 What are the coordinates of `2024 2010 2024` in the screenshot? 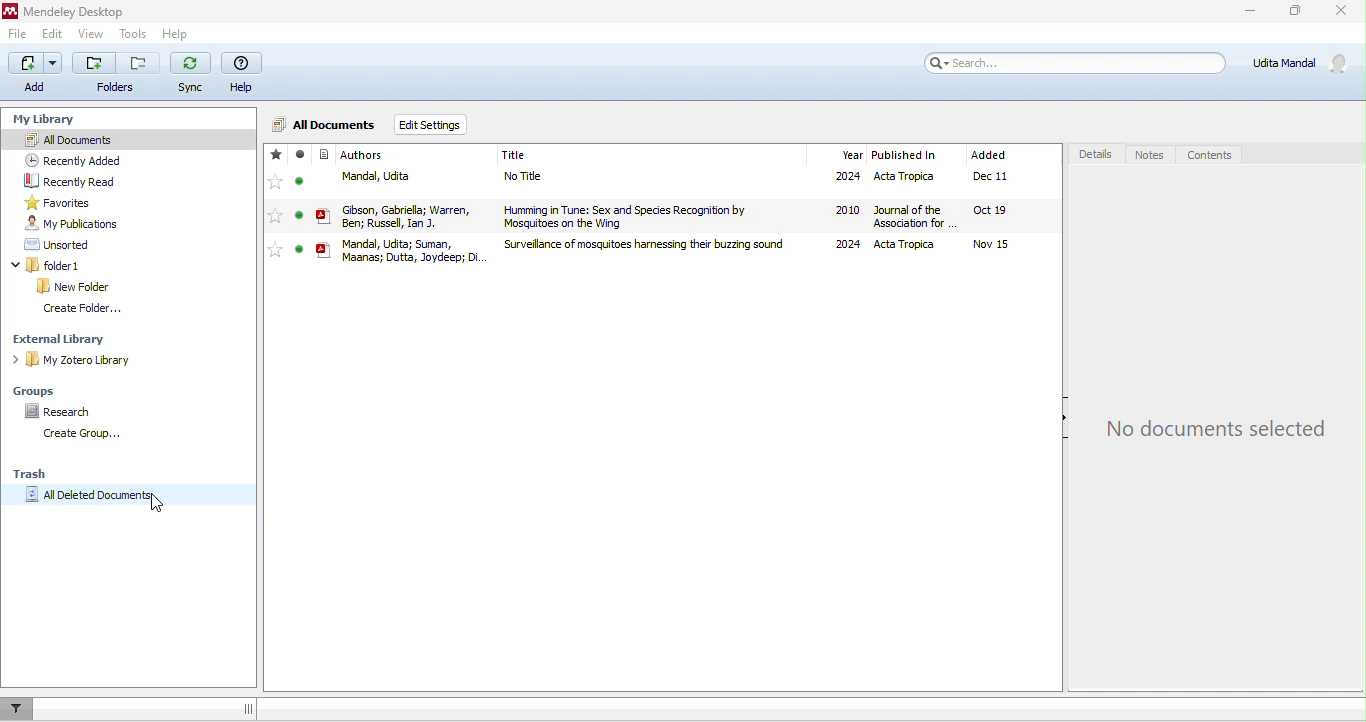 It's located at (842, 210).